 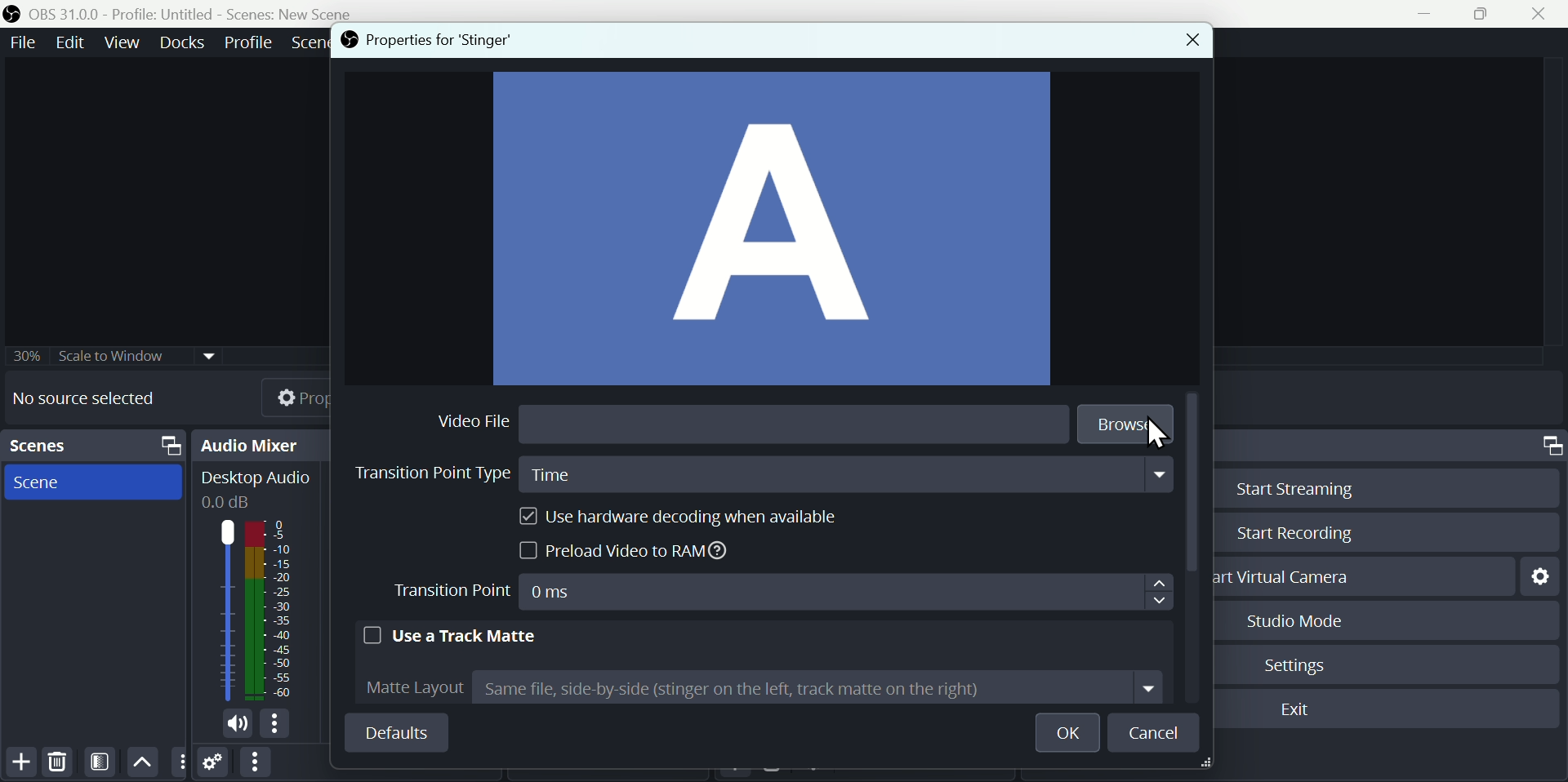 I want to click on Scroll bar, so click(x=1196, y=486).